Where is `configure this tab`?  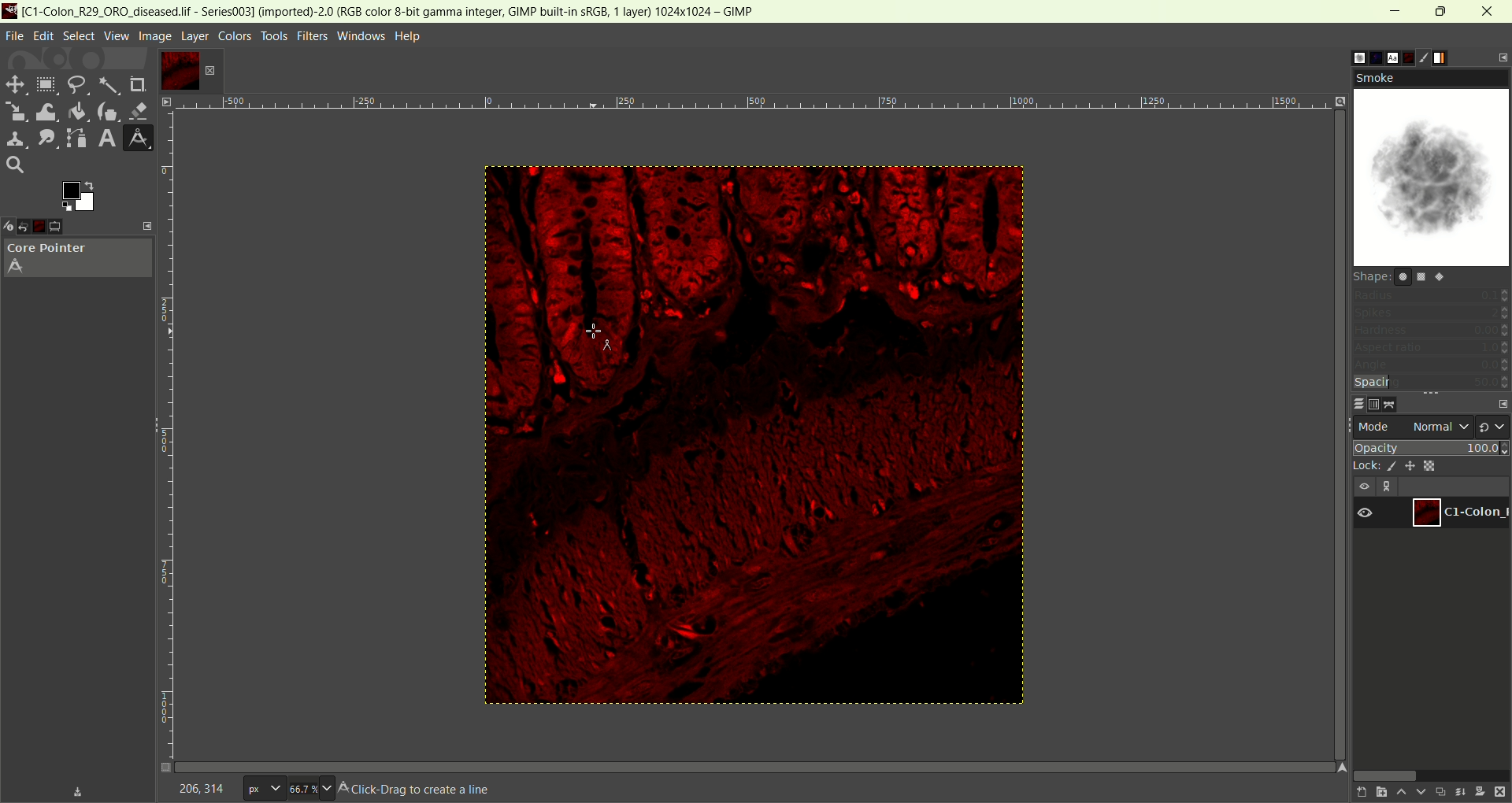
configure this tab is located at coordinates (1500, 58).